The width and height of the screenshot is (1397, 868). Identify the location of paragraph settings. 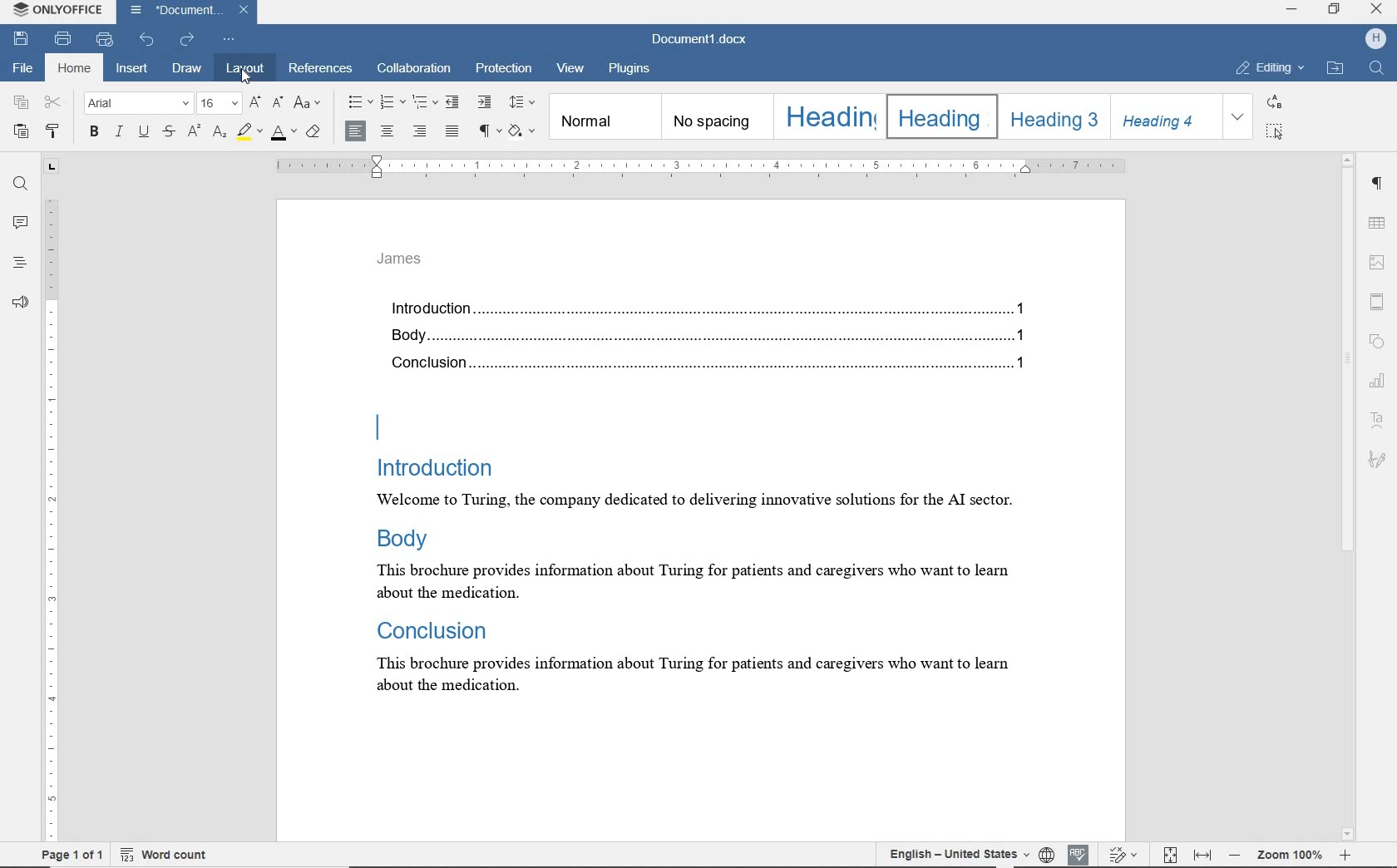
(1380, 187).